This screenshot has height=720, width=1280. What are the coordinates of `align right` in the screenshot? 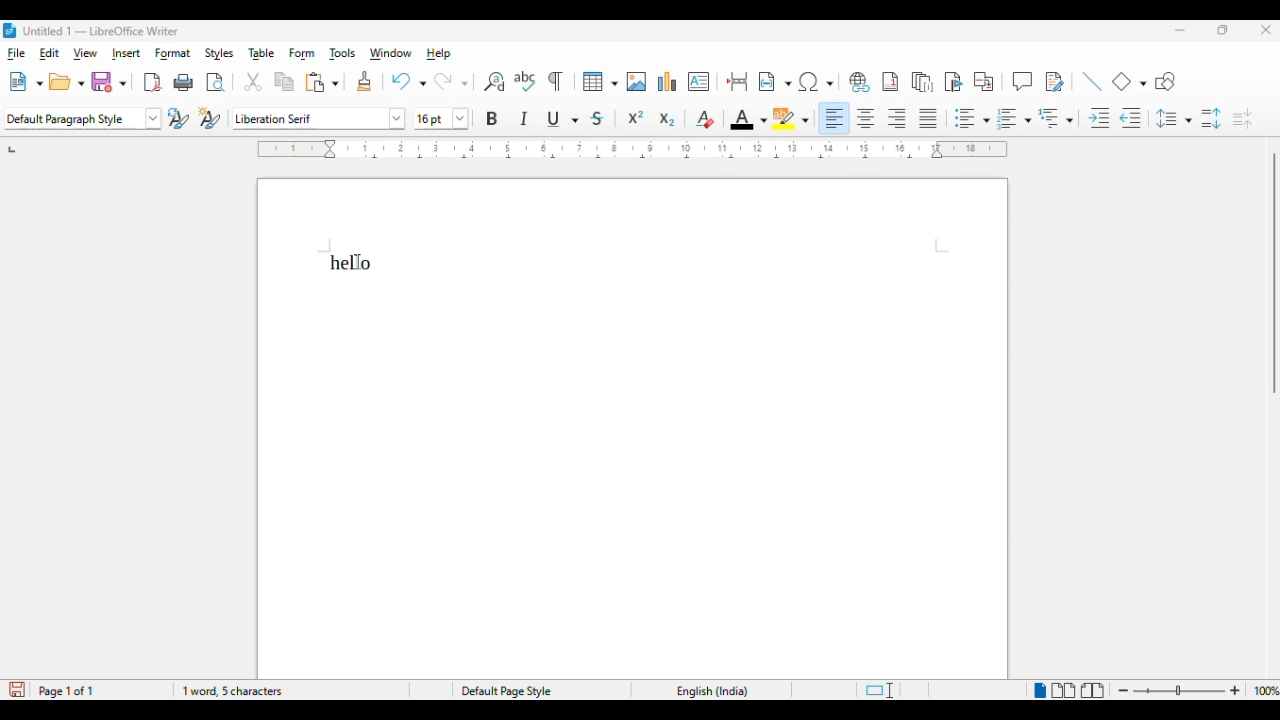 It's located at (898, 119).